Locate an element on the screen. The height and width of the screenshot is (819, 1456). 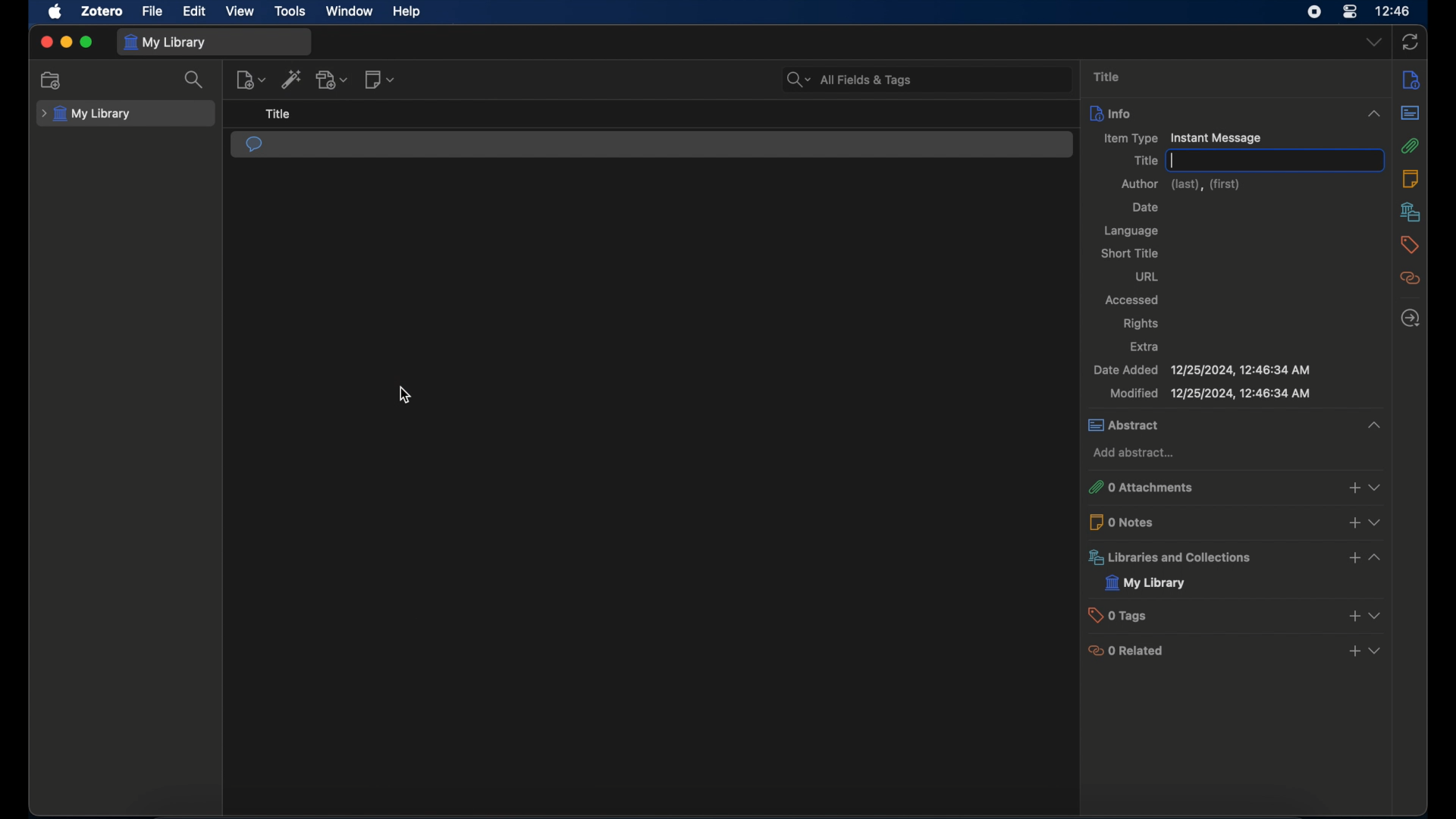
window is located at coordinates (349, 11).